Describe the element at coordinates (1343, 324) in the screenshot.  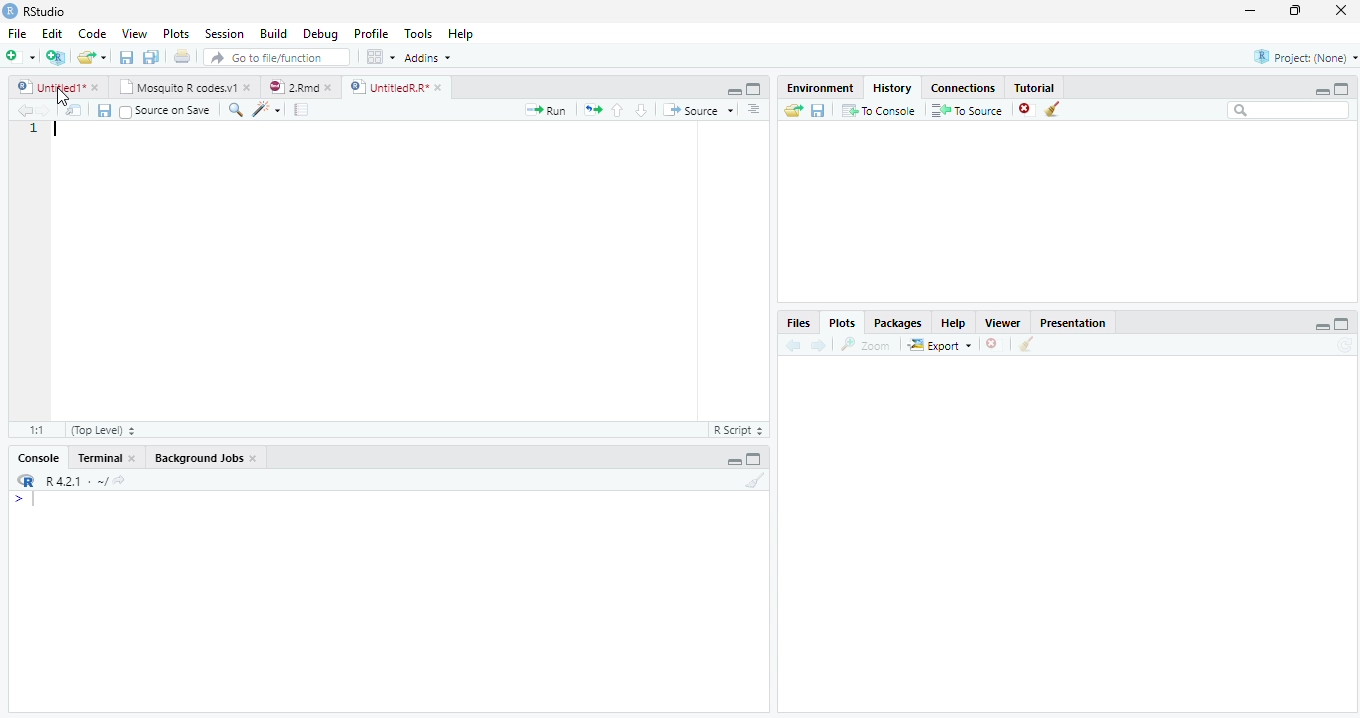
I see `Maximize` at that location.